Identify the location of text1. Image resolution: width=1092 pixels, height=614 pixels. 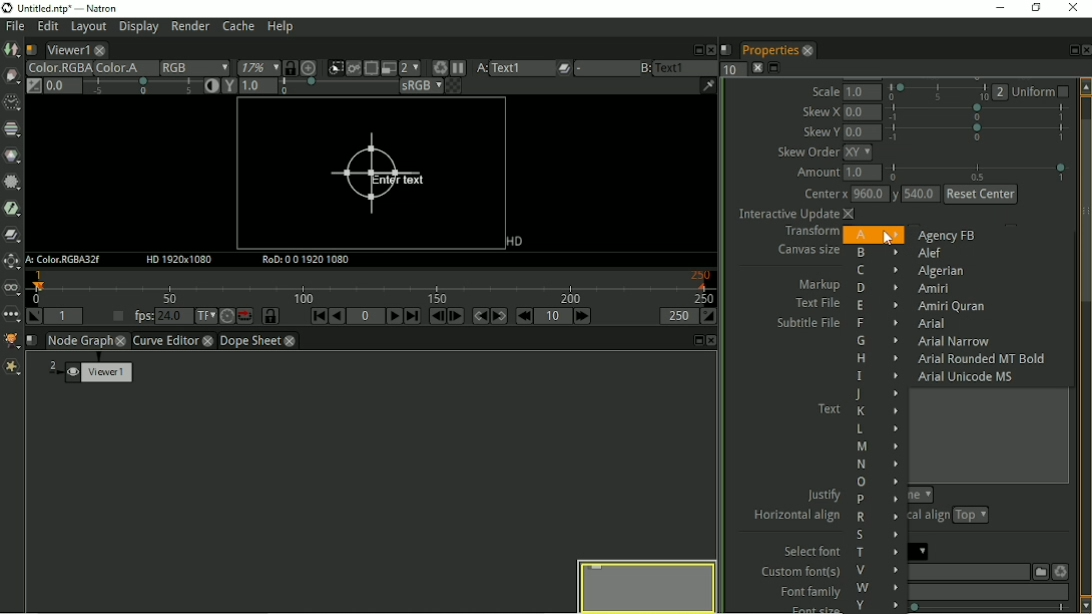
(522, 68).